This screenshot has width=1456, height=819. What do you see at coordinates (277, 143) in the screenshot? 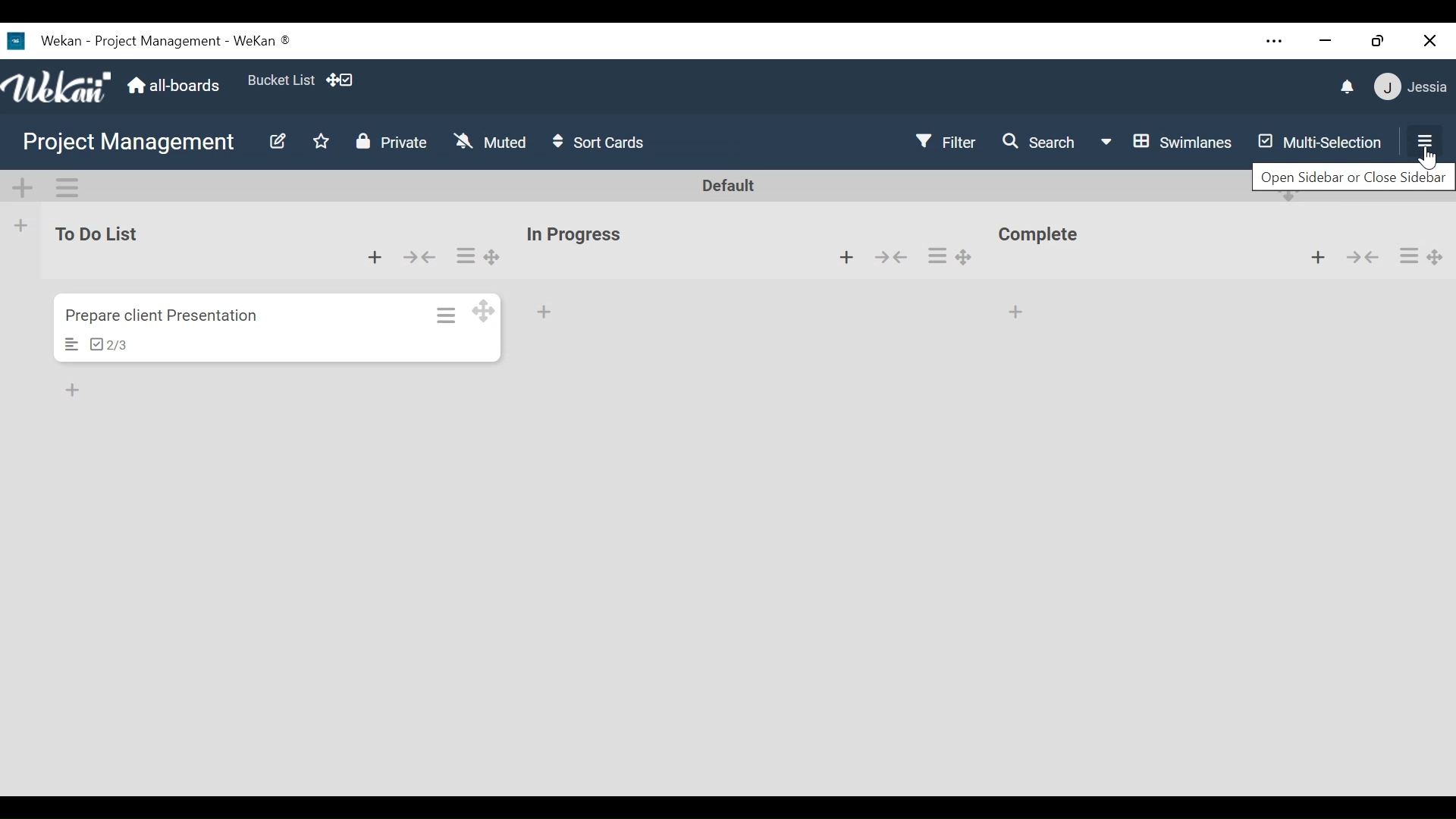
I see `Edit` at bounding box center [277, 143].